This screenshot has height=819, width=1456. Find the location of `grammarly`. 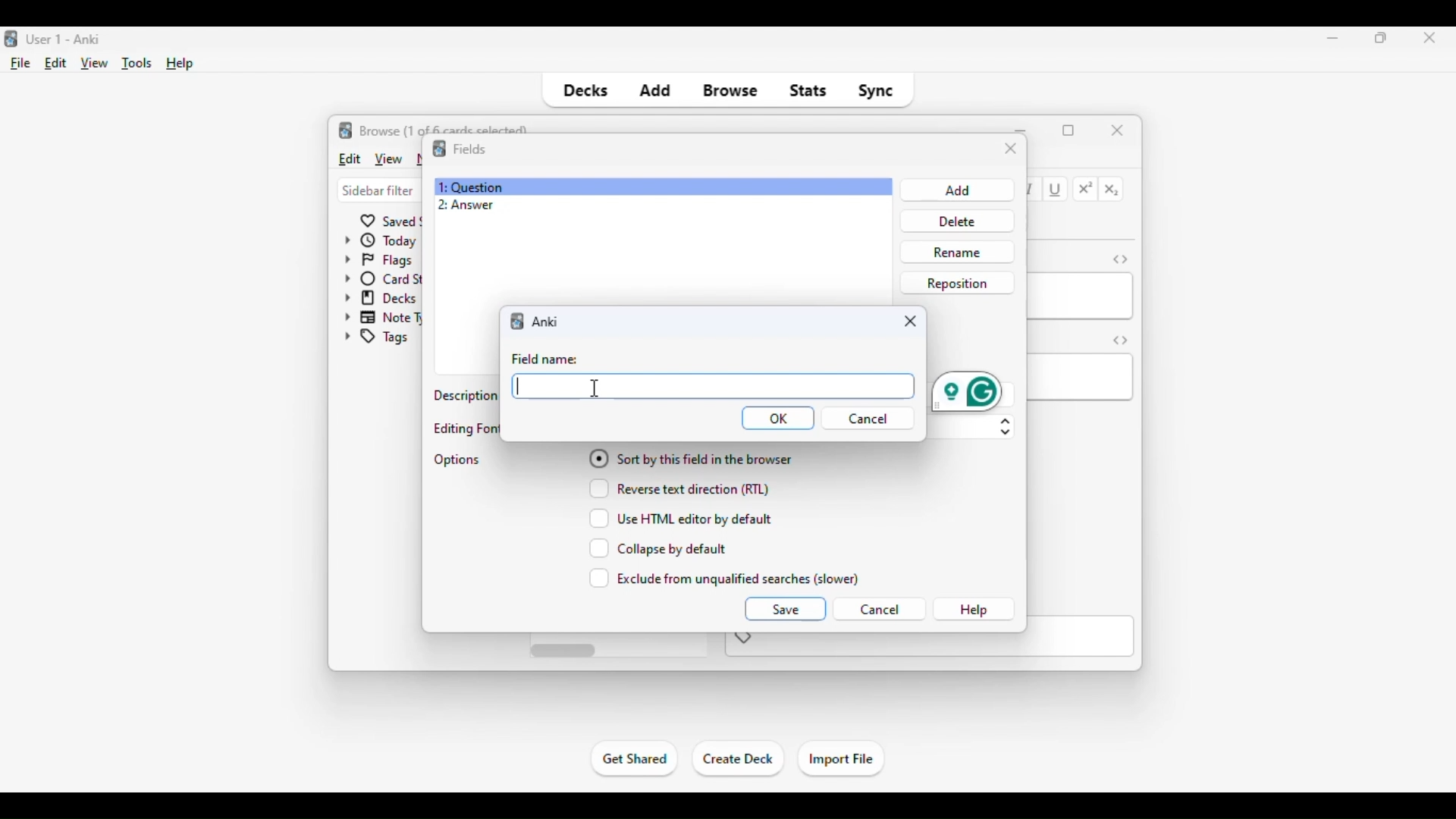

grammarly is located at coordinates (967, 391).